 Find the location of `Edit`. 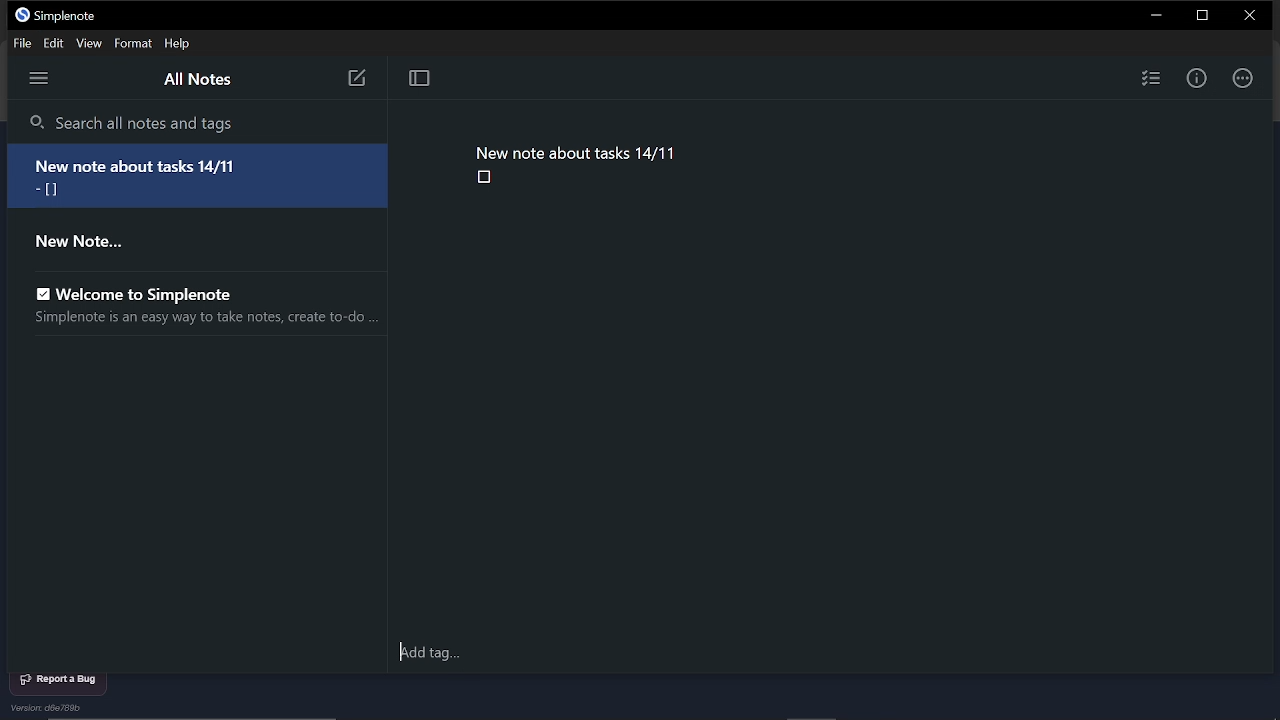

Edit is located at coordinates (57, 44).